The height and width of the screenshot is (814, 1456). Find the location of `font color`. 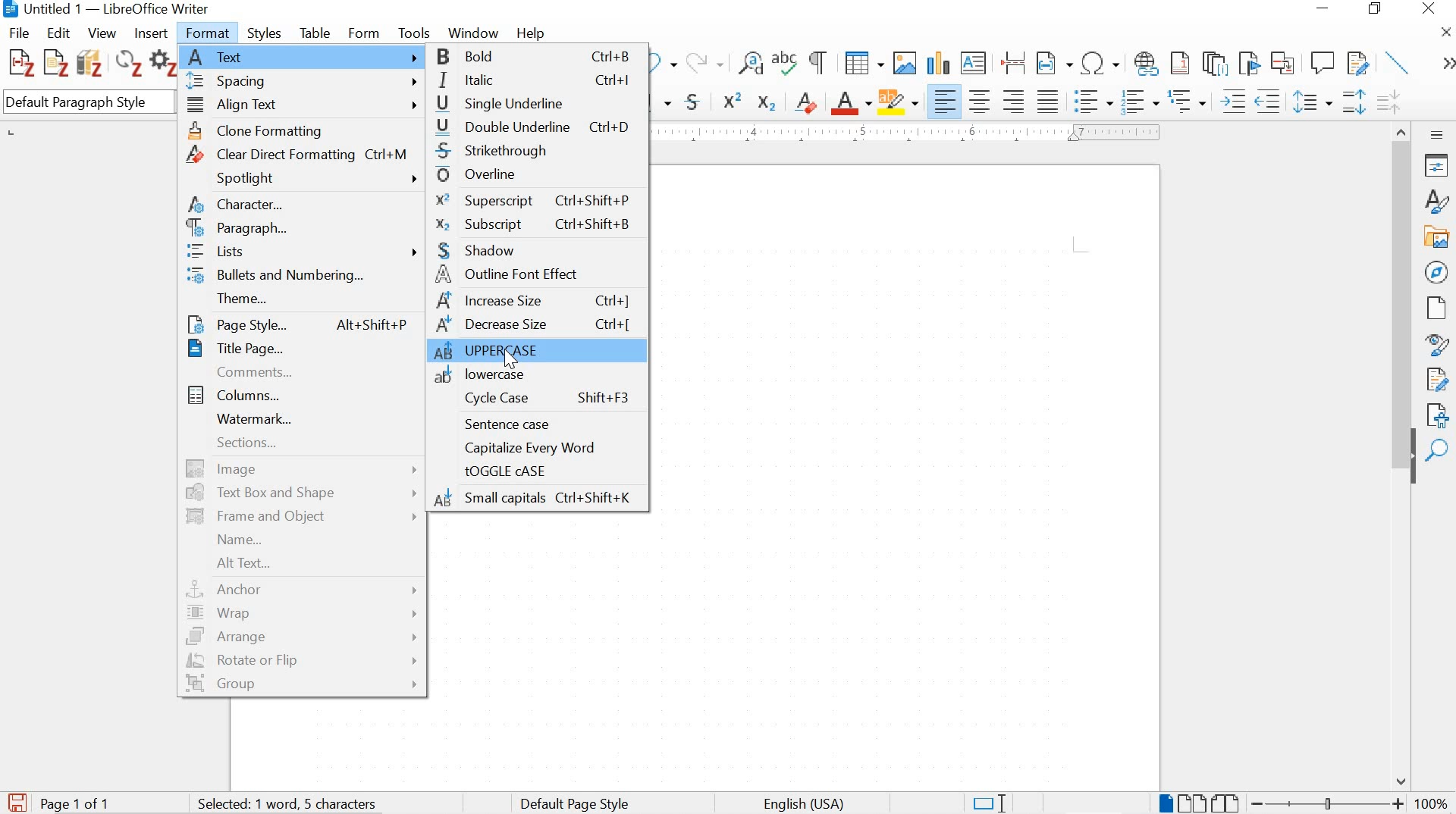

font color is located at coordinates (852, 104).